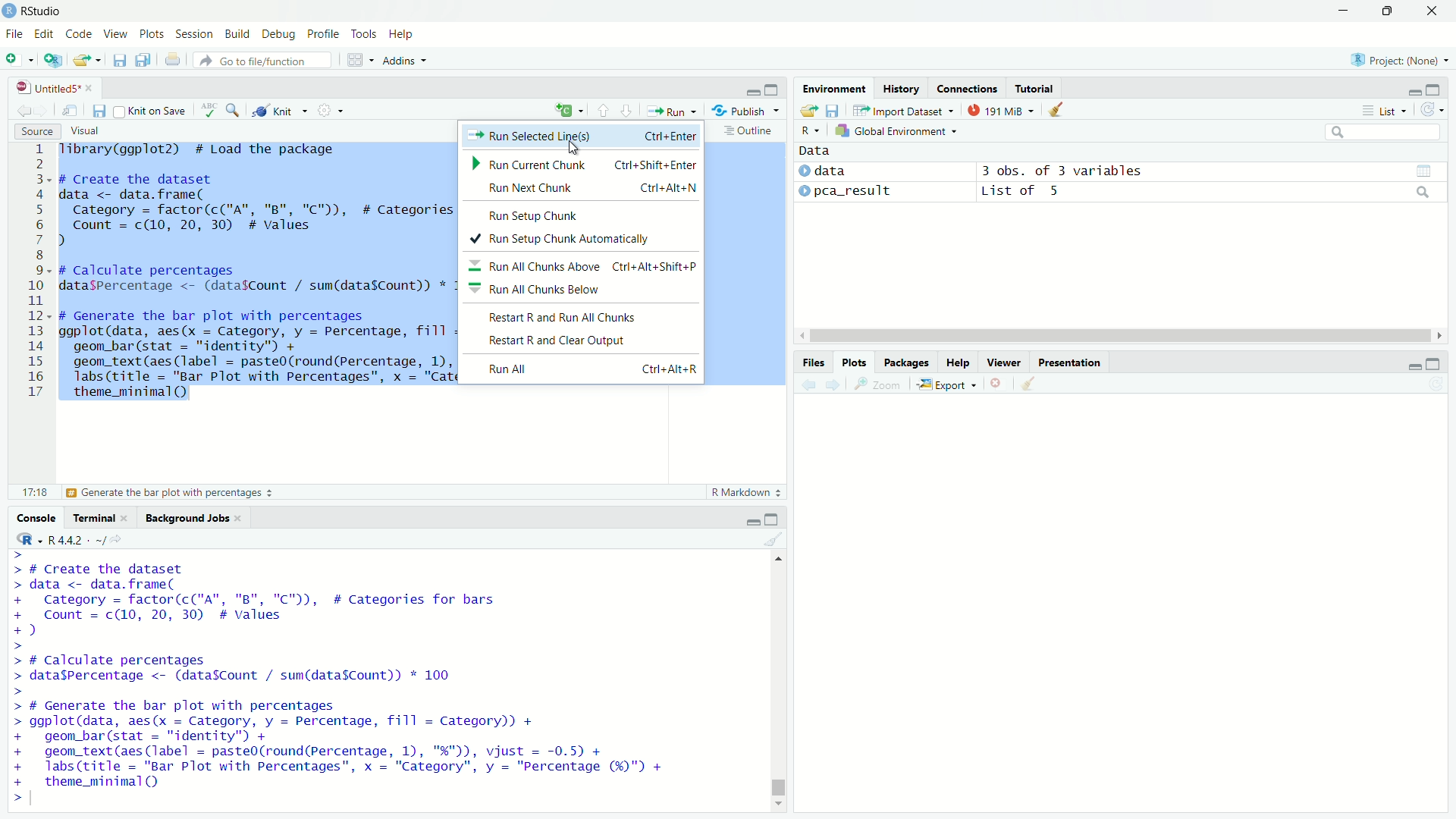 The width and height of the screenshot is (1456, 819). What do you see at coordinates (742, 493) in the screenshot?
I see `R markdown` at bounding box center [742, 493].